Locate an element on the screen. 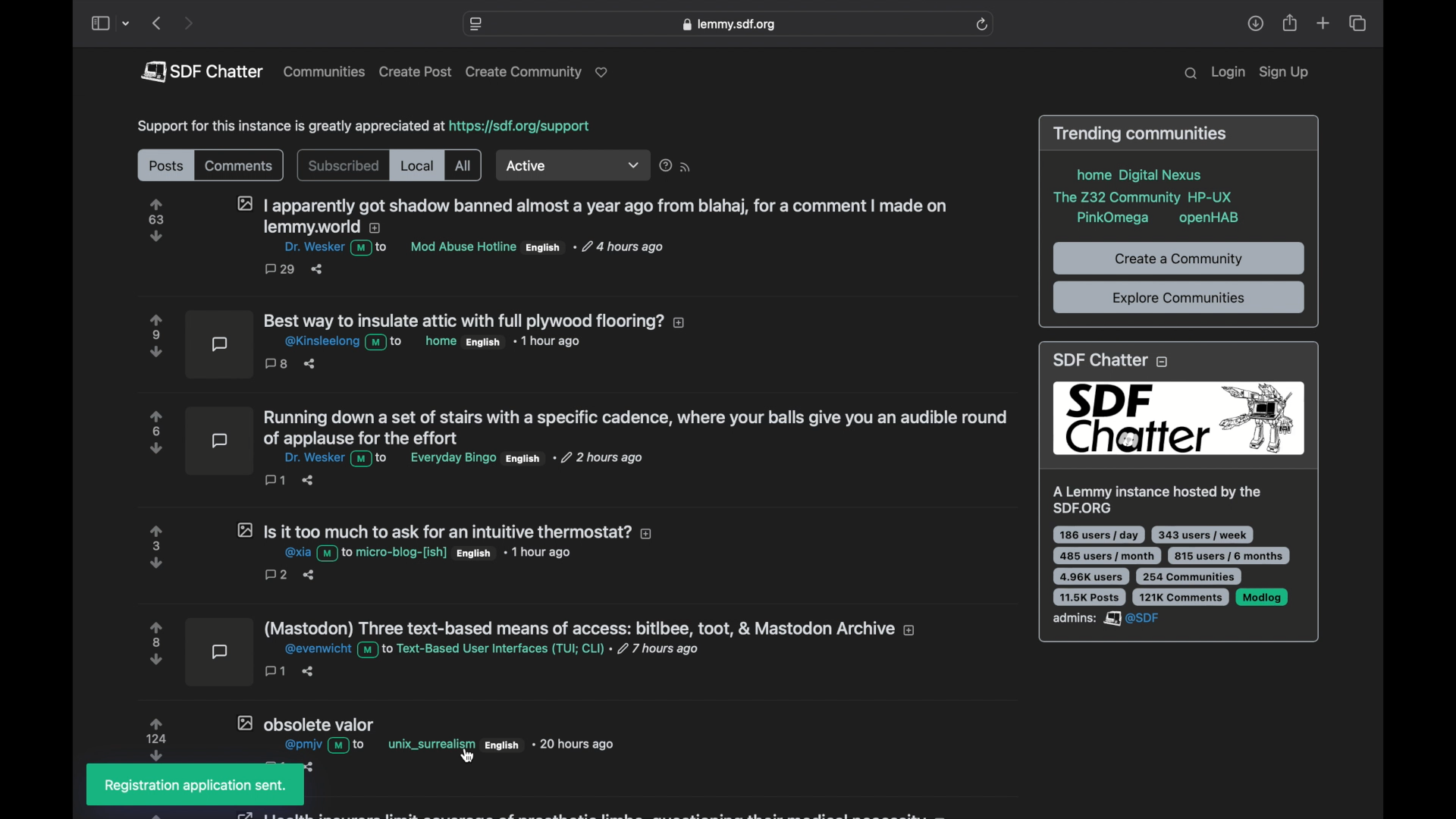  pdf chatter is located at coordinates (201, 71).